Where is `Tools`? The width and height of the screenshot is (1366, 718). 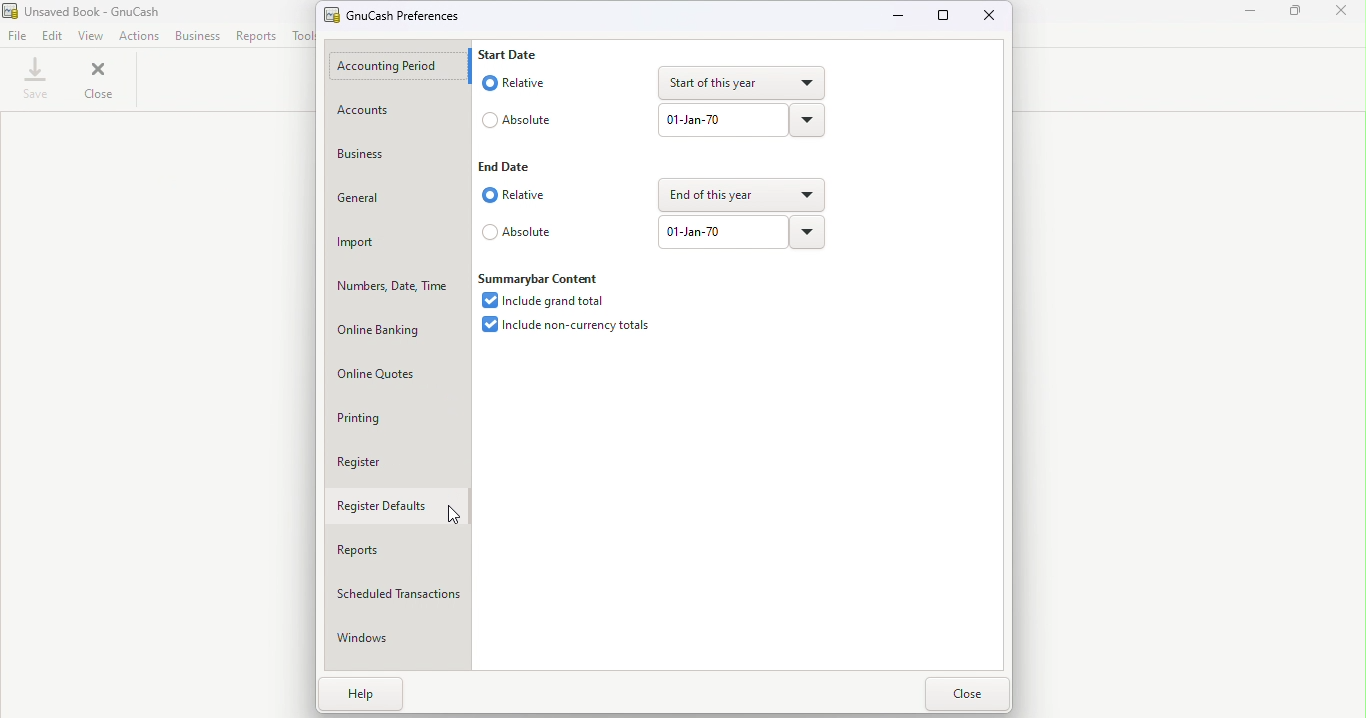
Tools is located at coordinates (306, 36).